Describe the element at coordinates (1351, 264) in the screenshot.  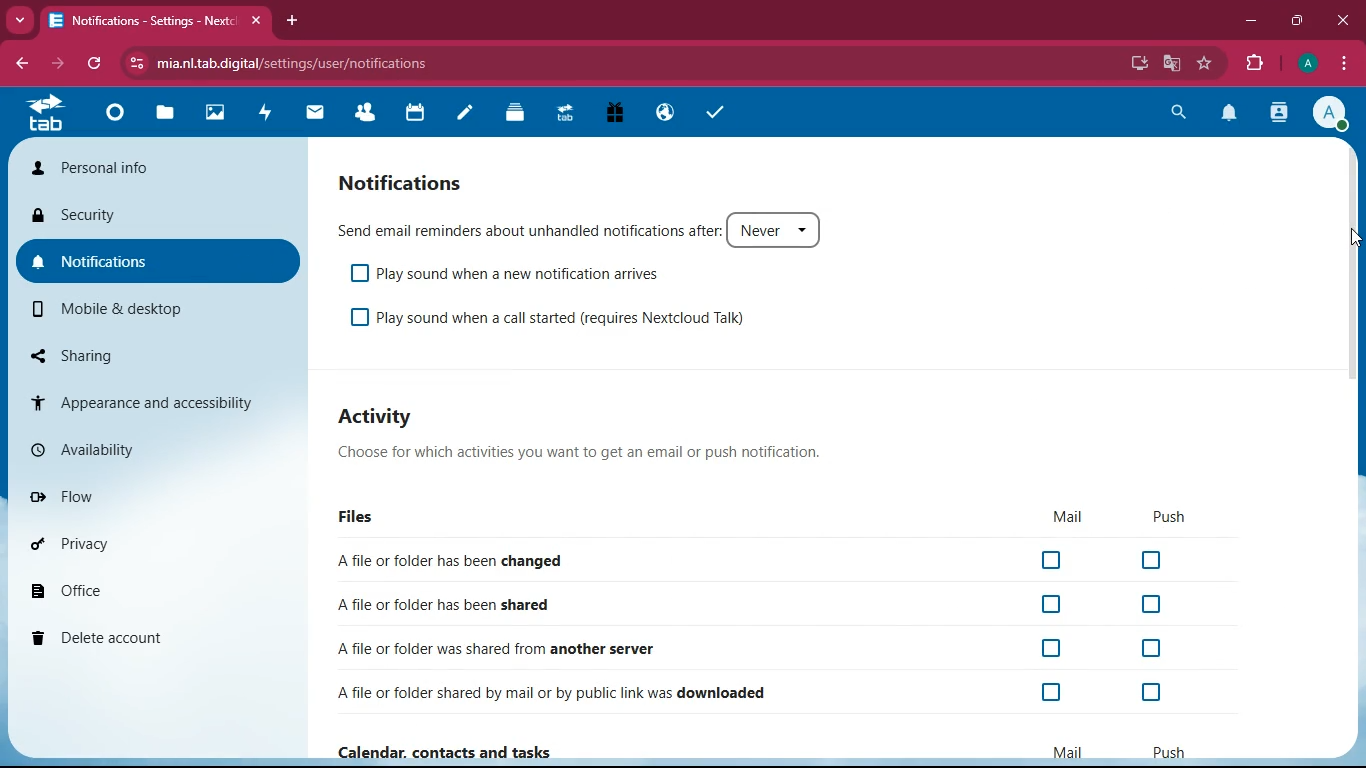
I see `vertical scrollbar` at that location.